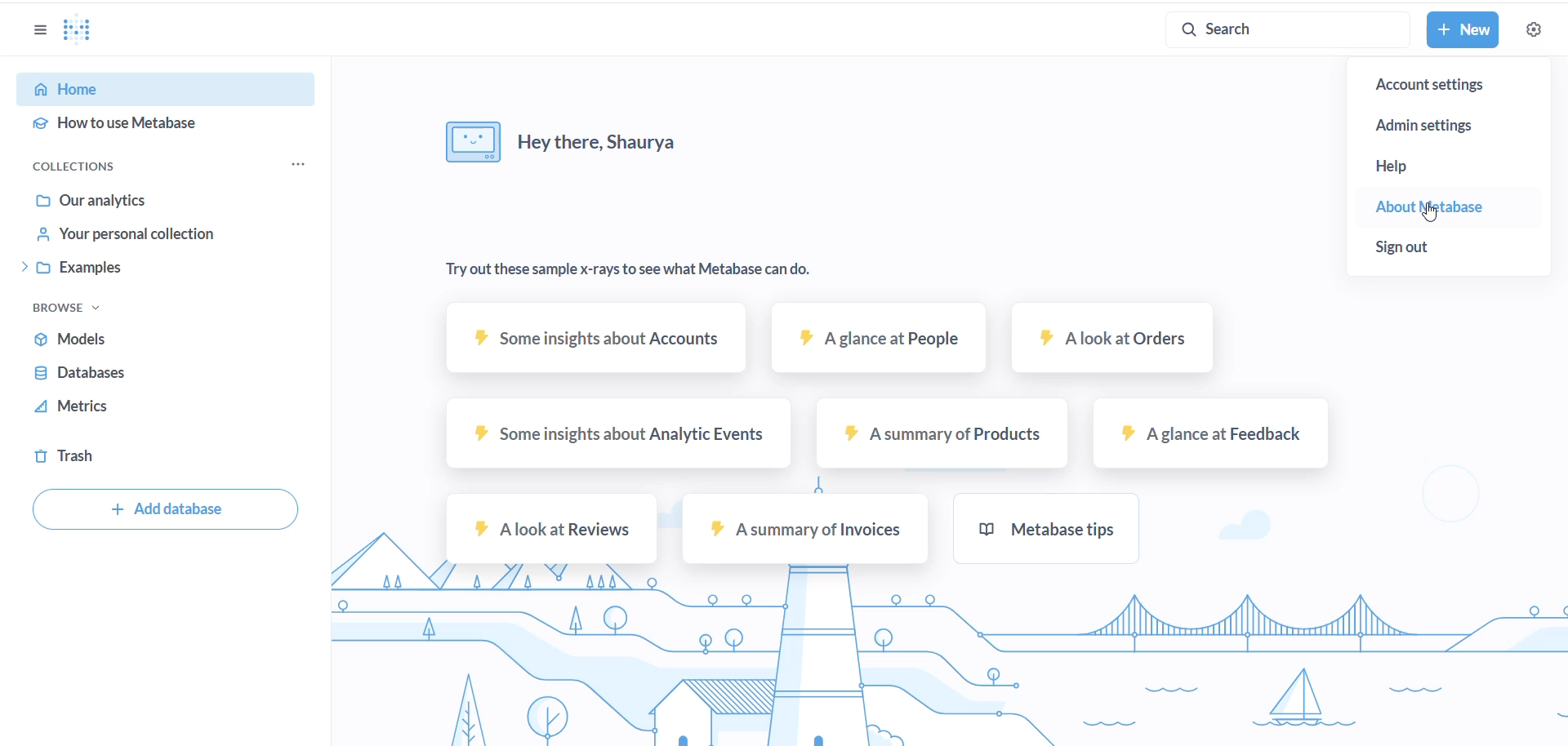  What do you see at coordinates (163, 238) in the screenshot?
I see `your personal collection` at bounding box center [163, 238].